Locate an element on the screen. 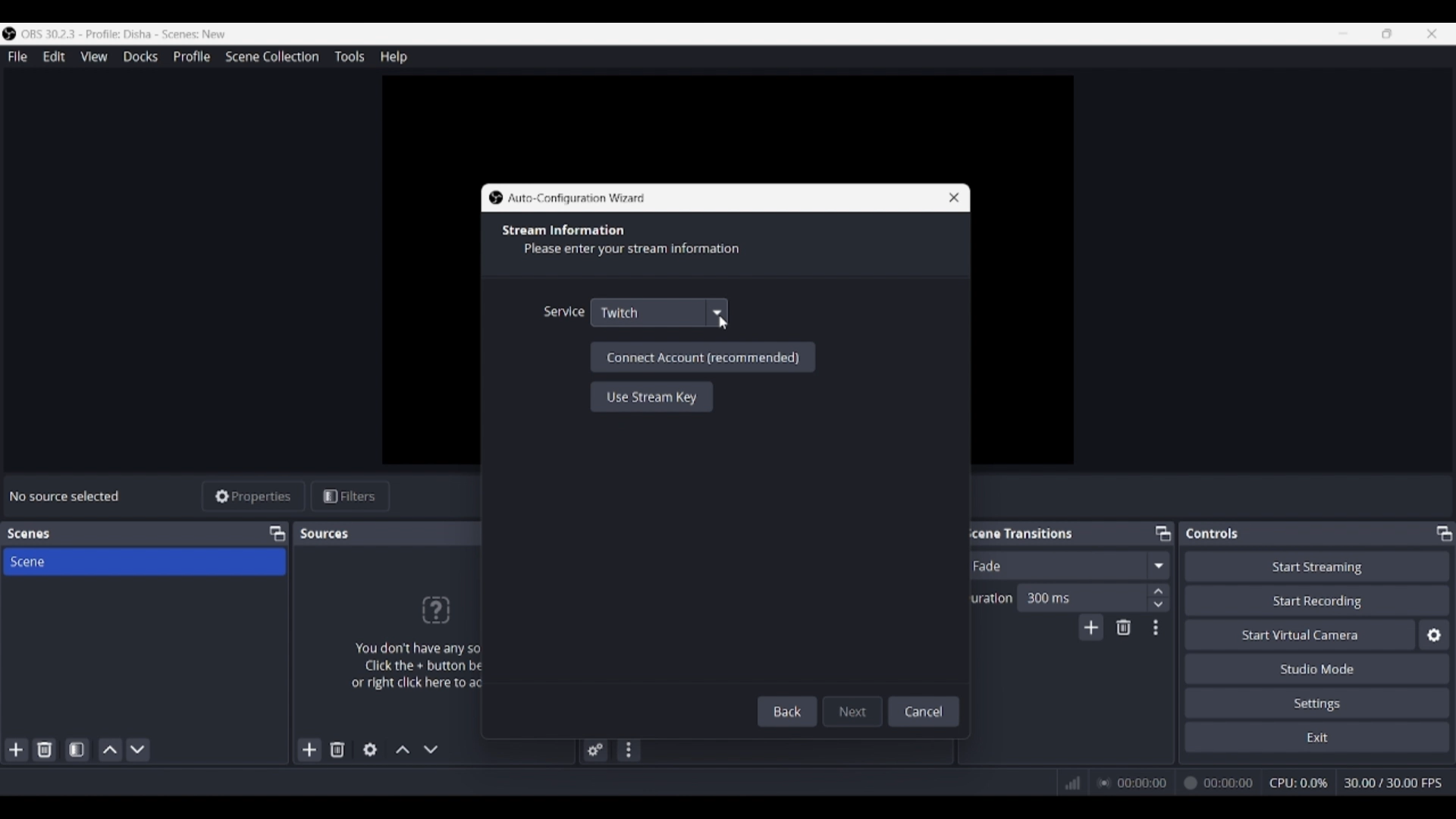 This screenshot has height=819, width=1456. Start recording is located at coordinates (1318, 600).